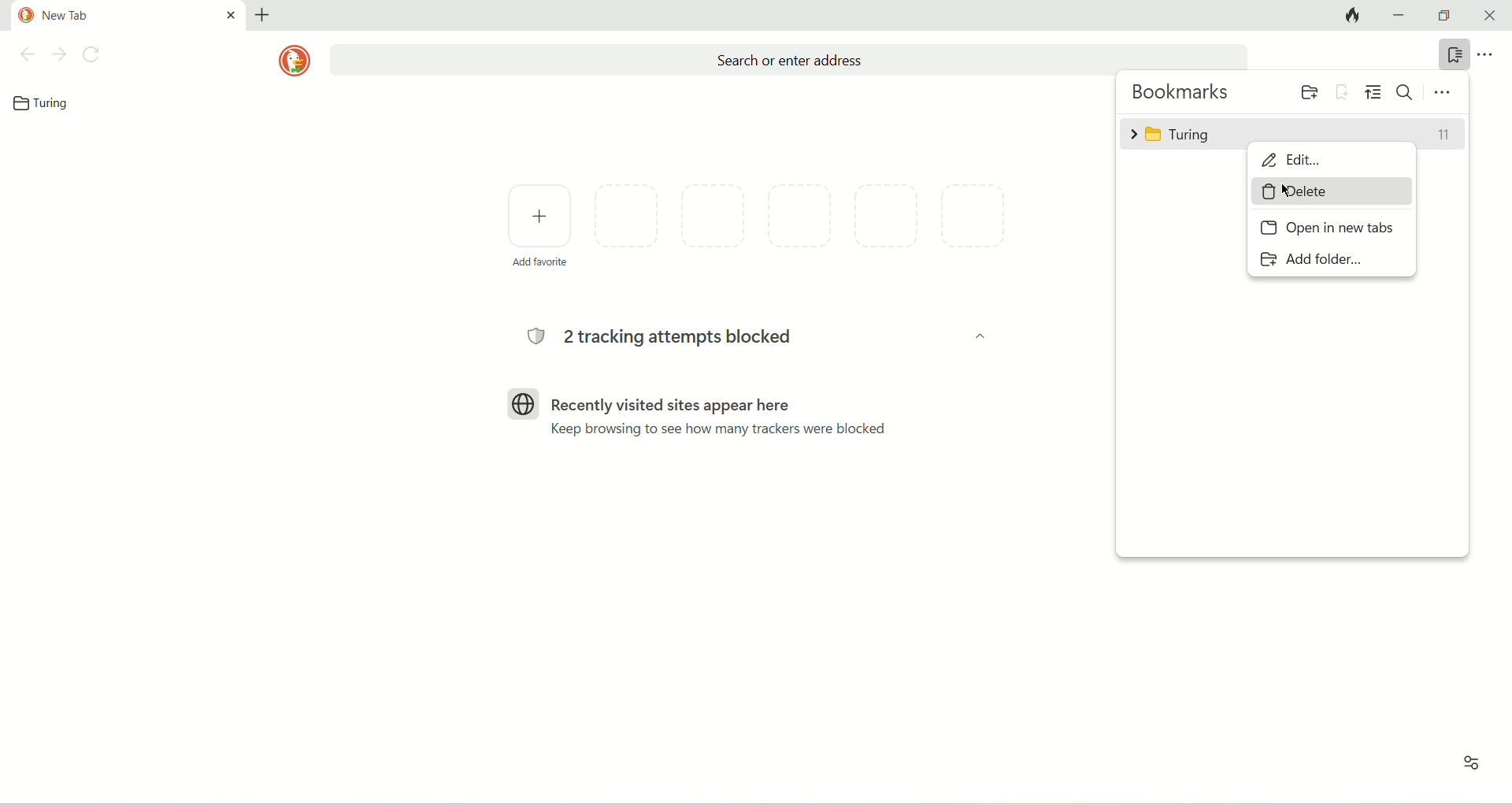 This screenshot has height=805, width=1512. Describe the element at coordinates (93, 54) in the screenshot. I see `refresh` at that location.